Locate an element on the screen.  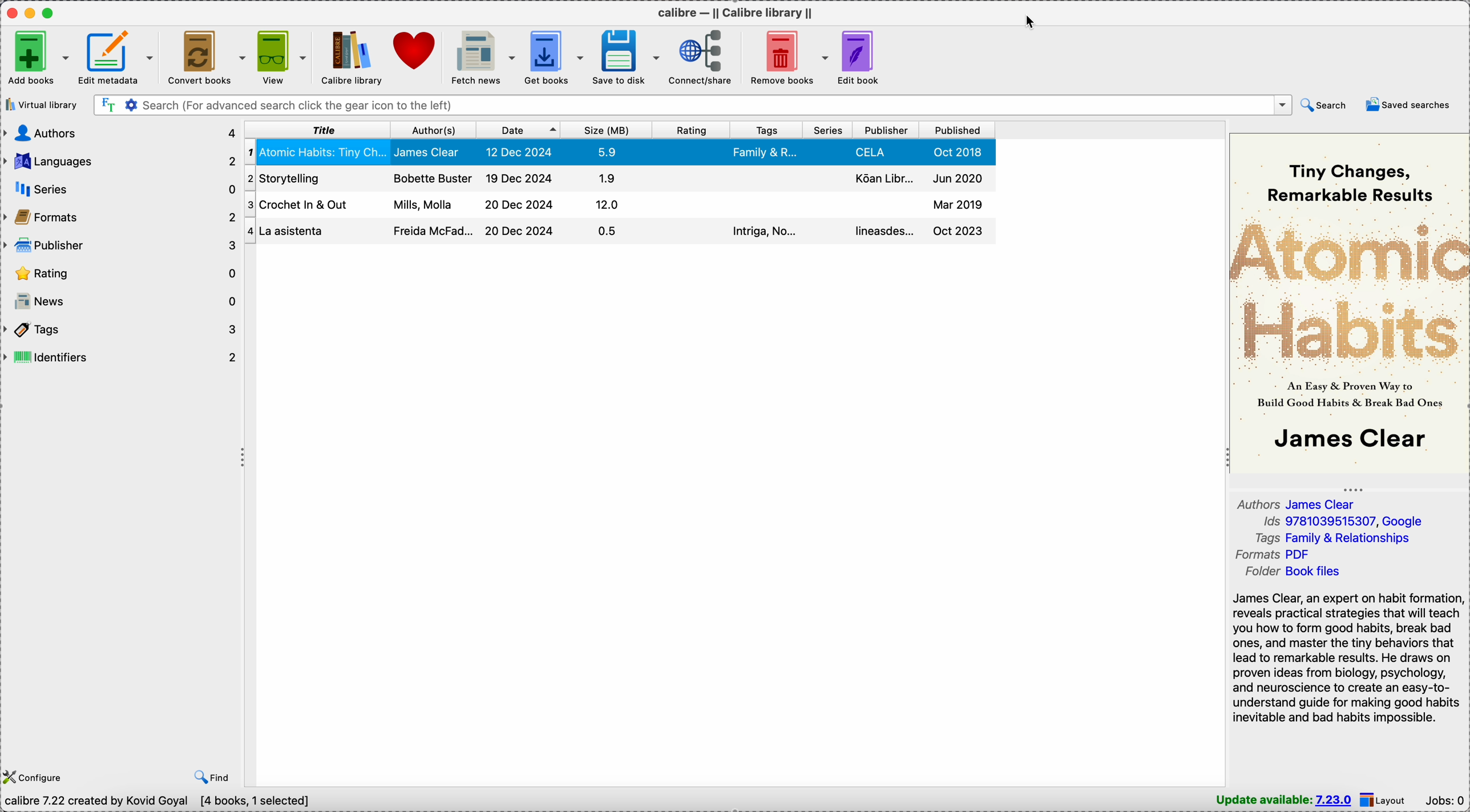
news is located at coordinates (122, 303).